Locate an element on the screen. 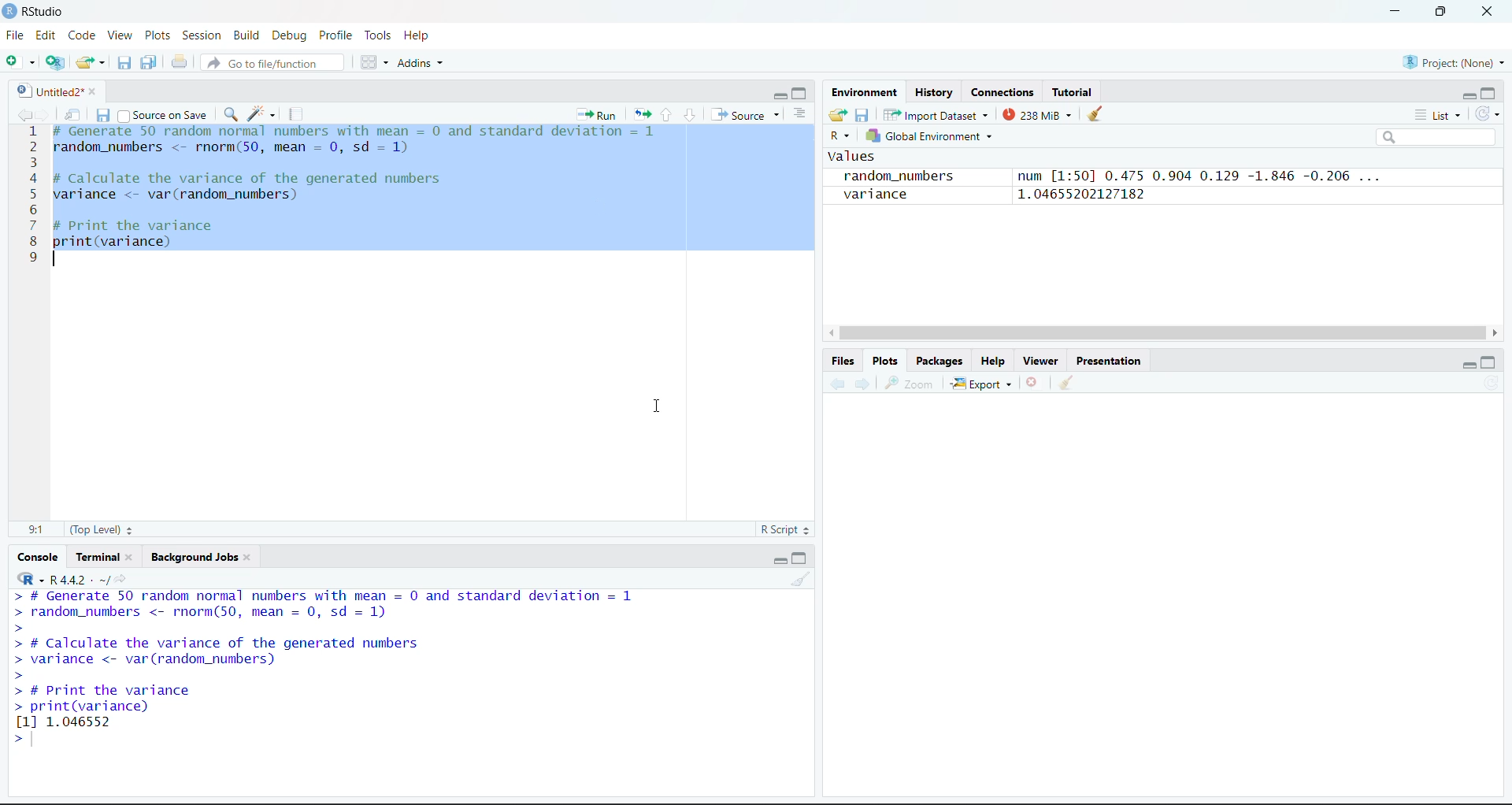  minimize is located at coordinates (1468, 98).